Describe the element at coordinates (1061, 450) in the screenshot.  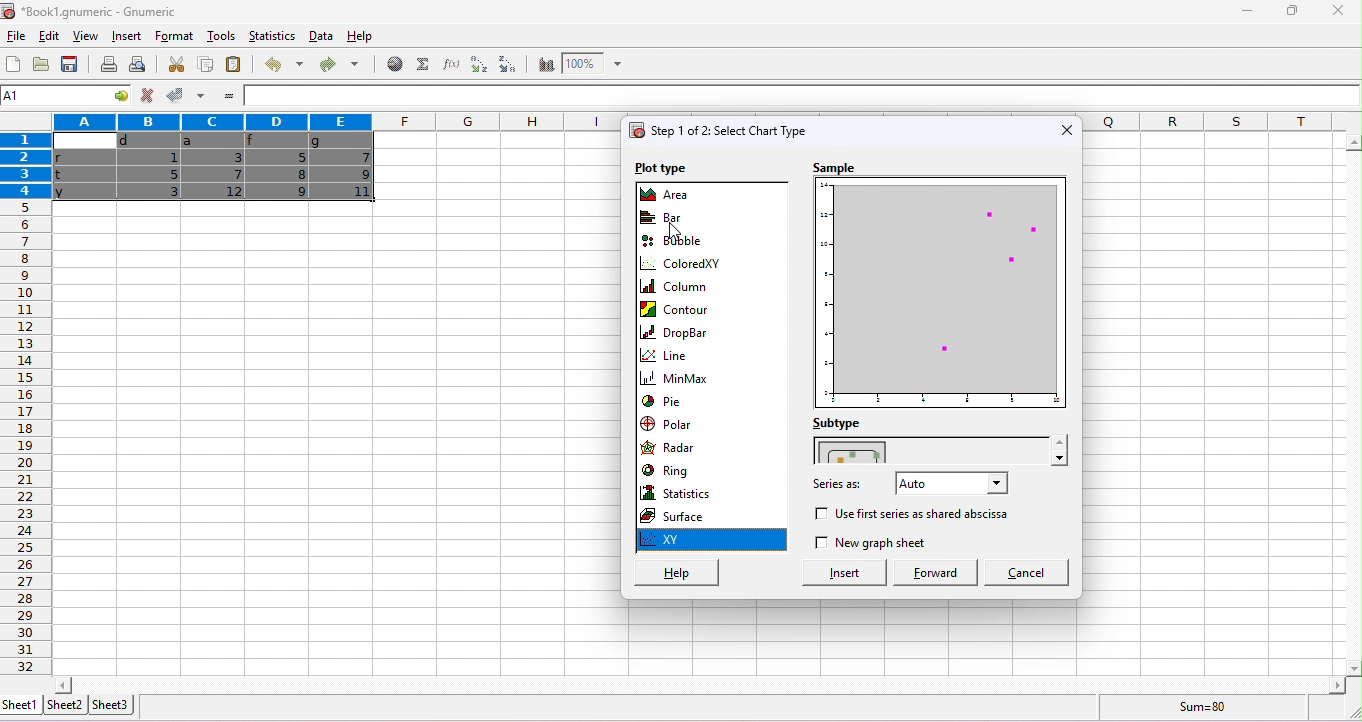
I see `drop down` at that location.